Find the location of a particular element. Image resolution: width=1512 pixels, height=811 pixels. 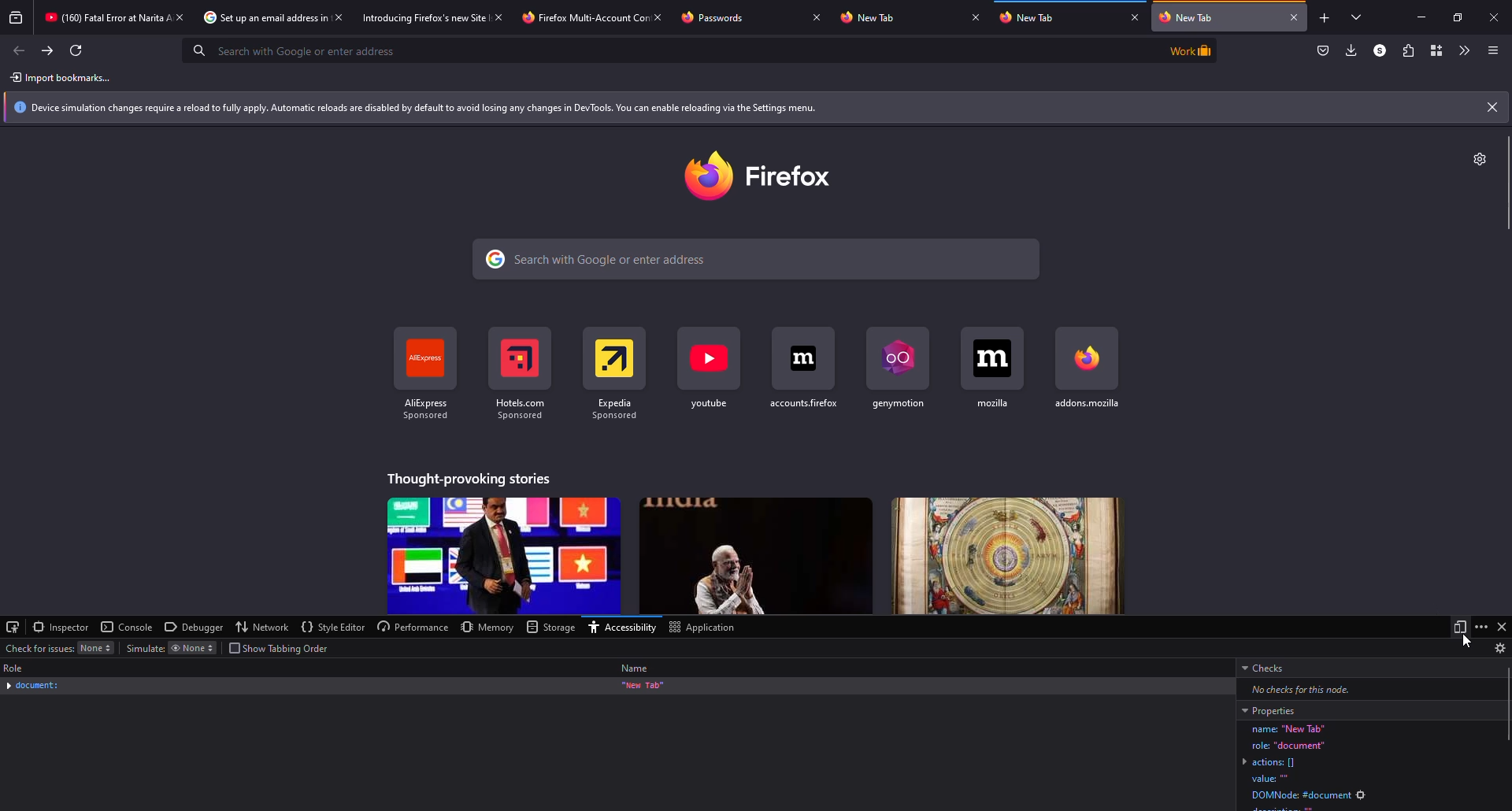

tab is located at coordinates (102, 17).